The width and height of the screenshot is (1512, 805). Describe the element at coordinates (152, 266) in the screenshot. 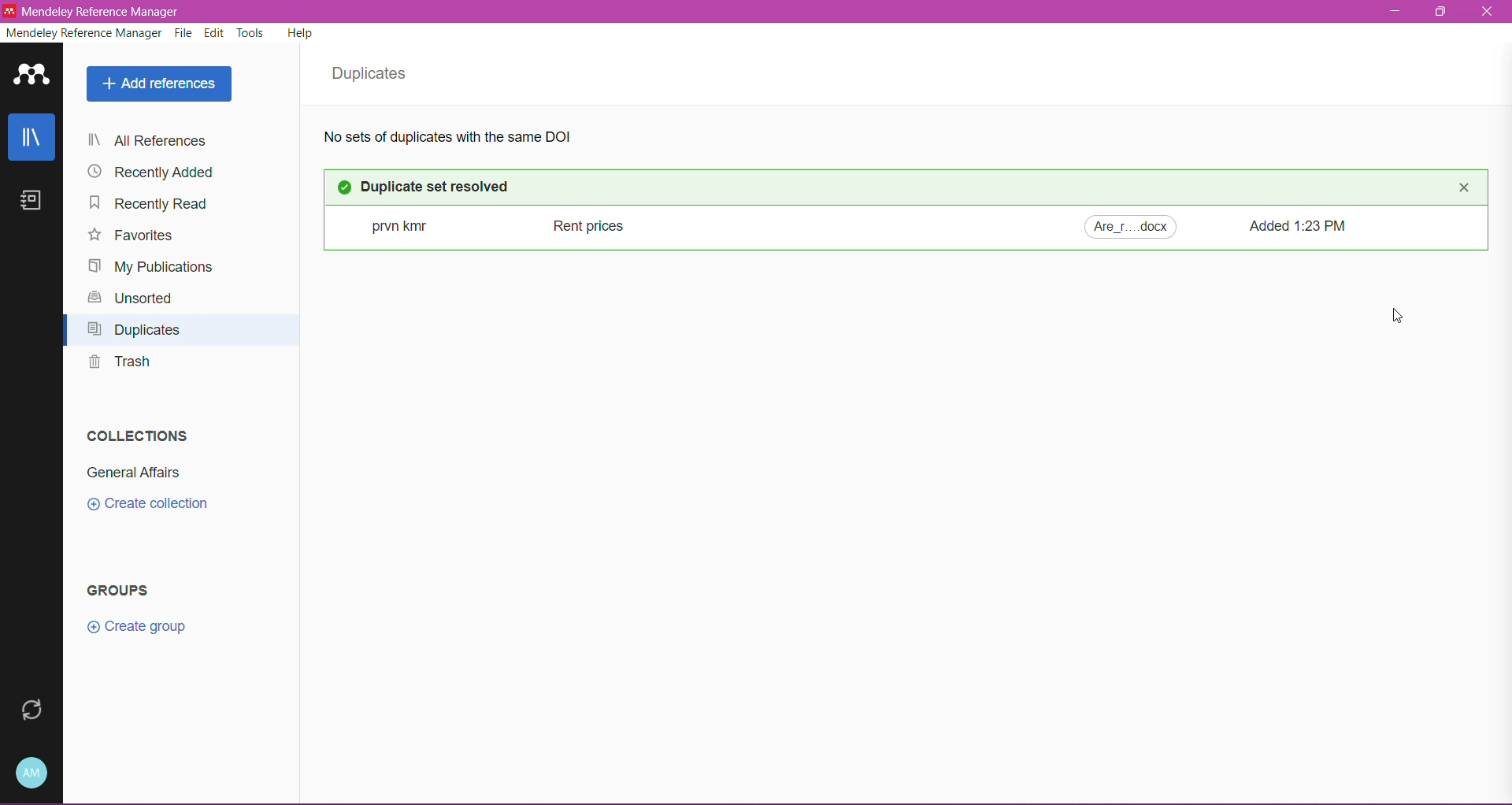

I see `My Publications` at that location.